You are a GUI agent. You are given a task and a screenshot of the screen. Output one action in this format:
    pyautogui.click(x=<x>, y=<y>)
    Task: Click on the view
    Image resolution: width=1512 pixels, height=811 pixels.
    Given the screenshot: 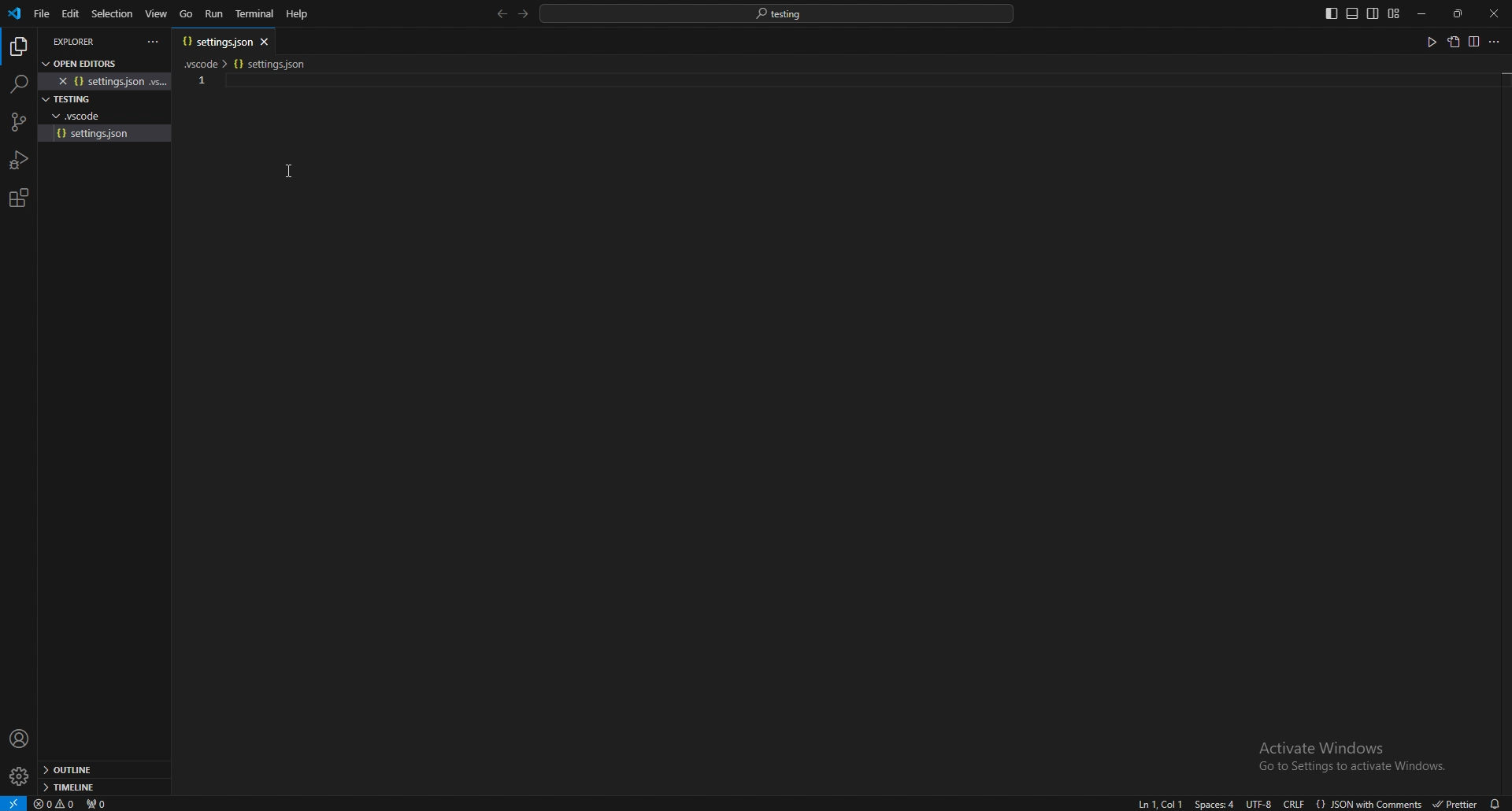 What is the action you would take?
    pyautogui.click(x=157, y=13)
    